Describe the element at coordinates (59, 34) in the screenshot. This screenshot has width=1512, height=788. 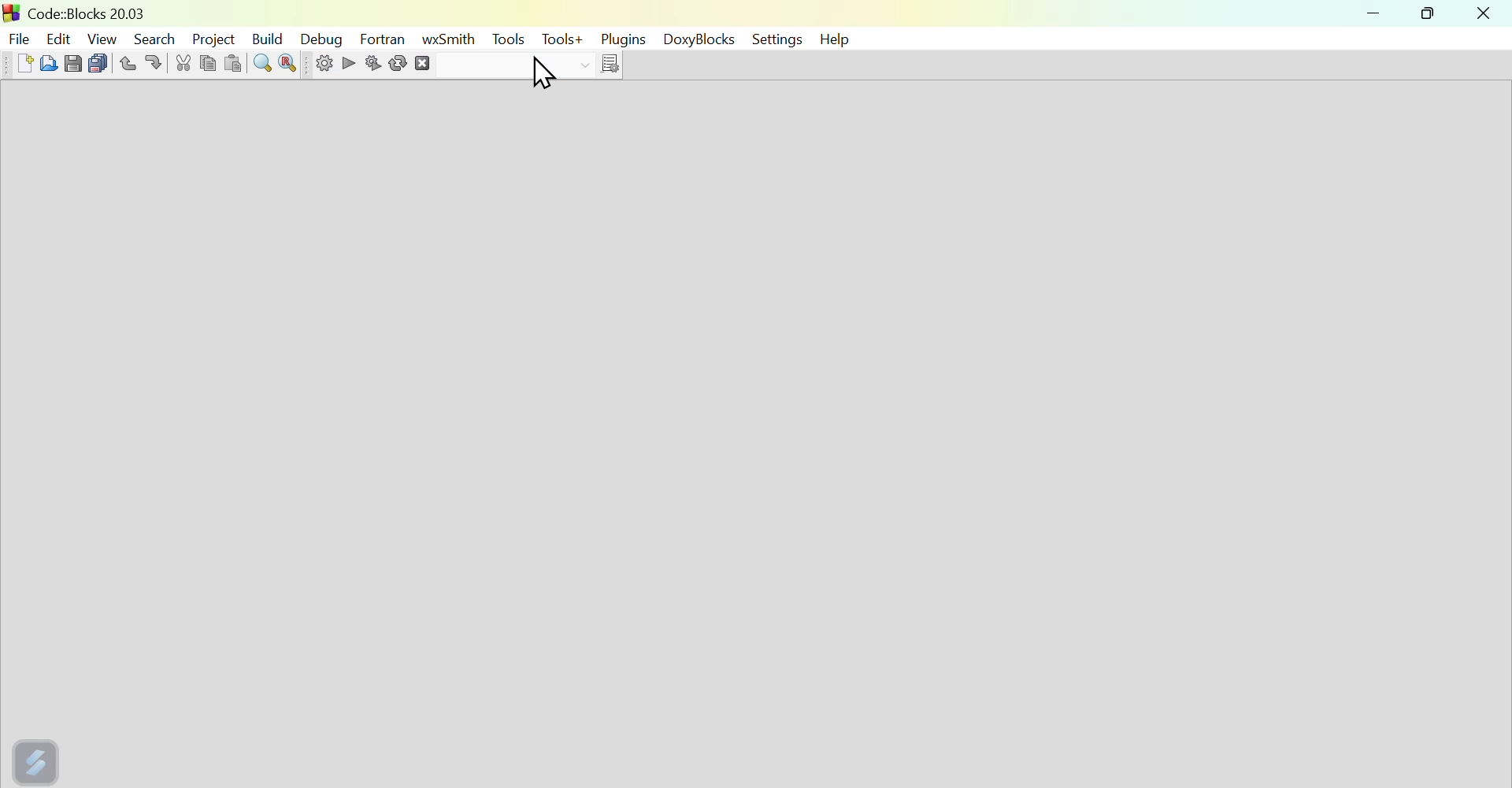
I see `edit` at that location.